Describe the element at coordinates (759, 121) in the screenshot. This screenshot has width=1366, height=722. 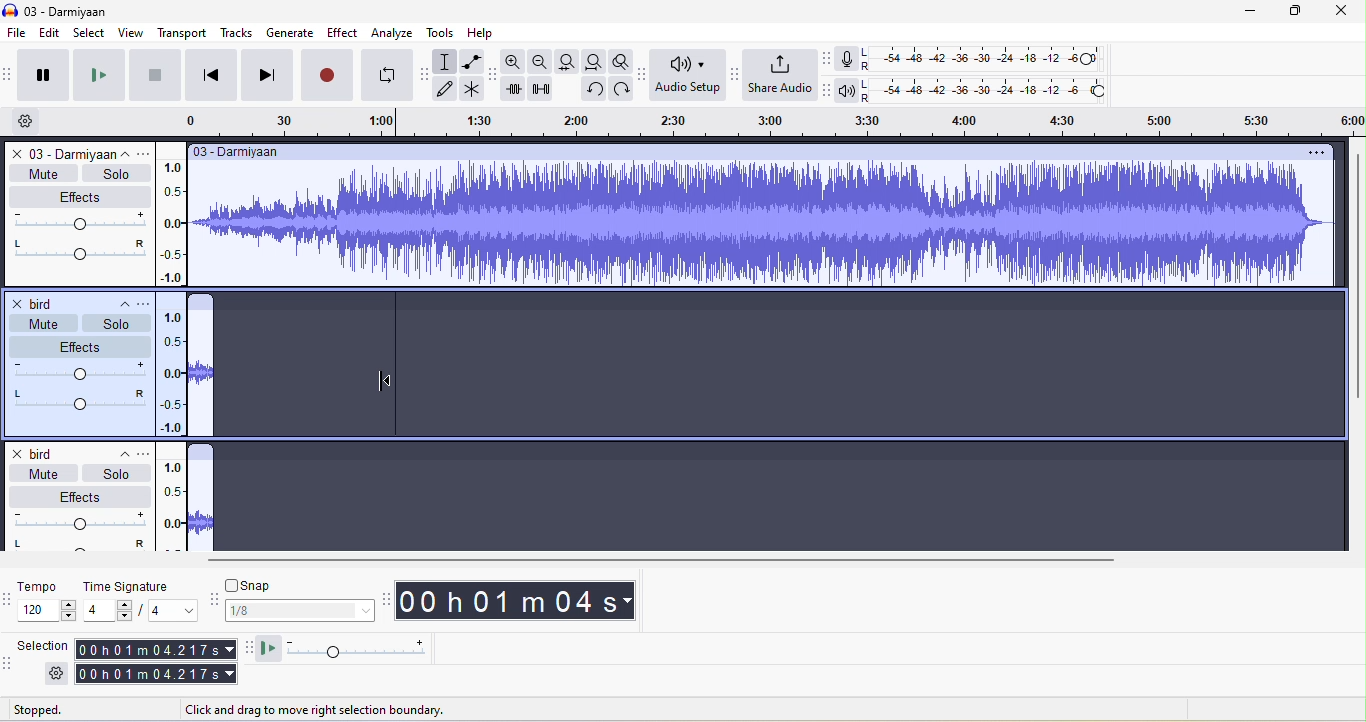
I see `click and drag to define a looping region` at that location.